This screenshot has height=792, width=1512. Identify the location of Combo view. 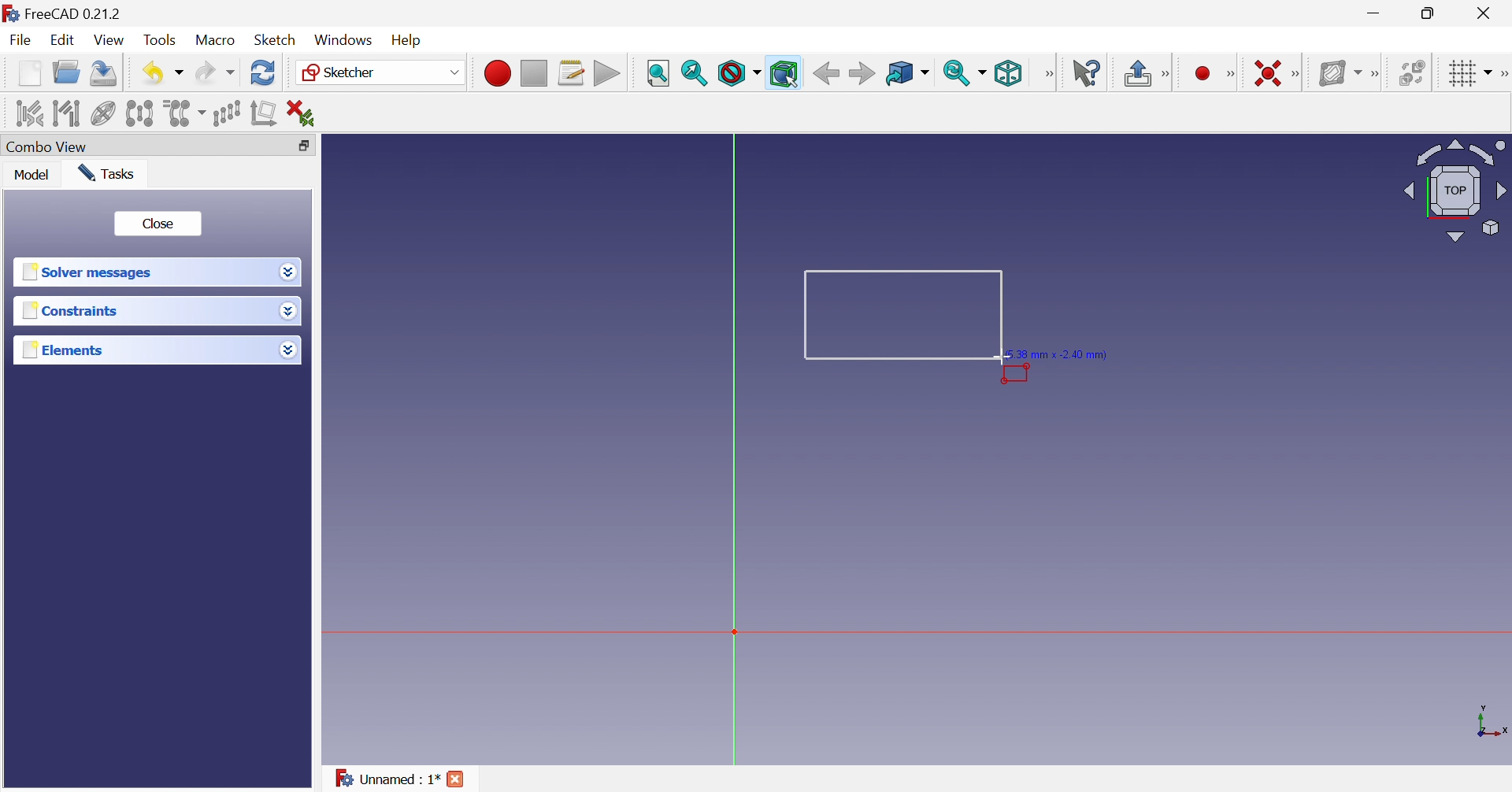
(45, 147).